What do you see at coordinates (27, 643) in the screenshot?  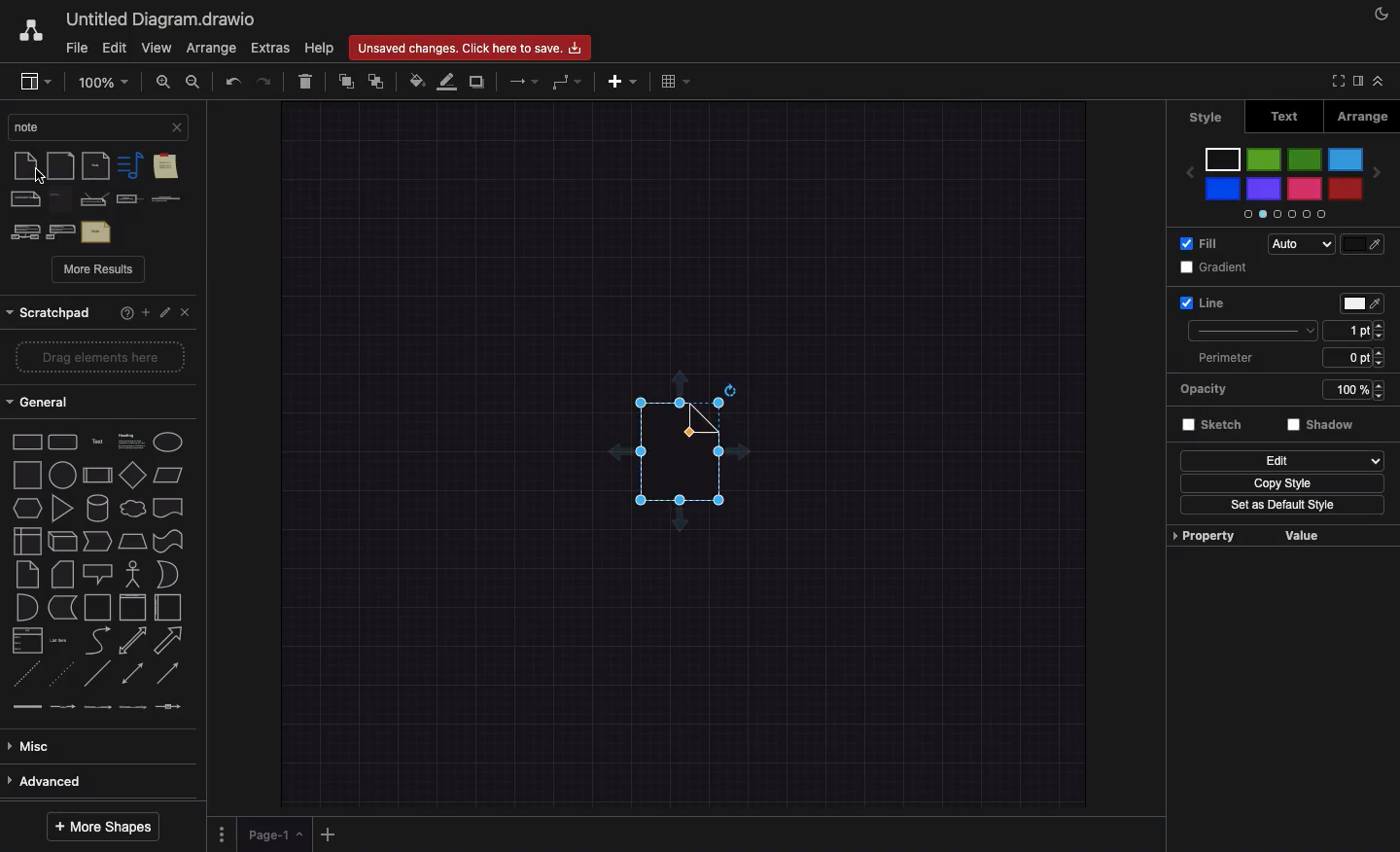 I see `list` at bounding box center [27, 643].